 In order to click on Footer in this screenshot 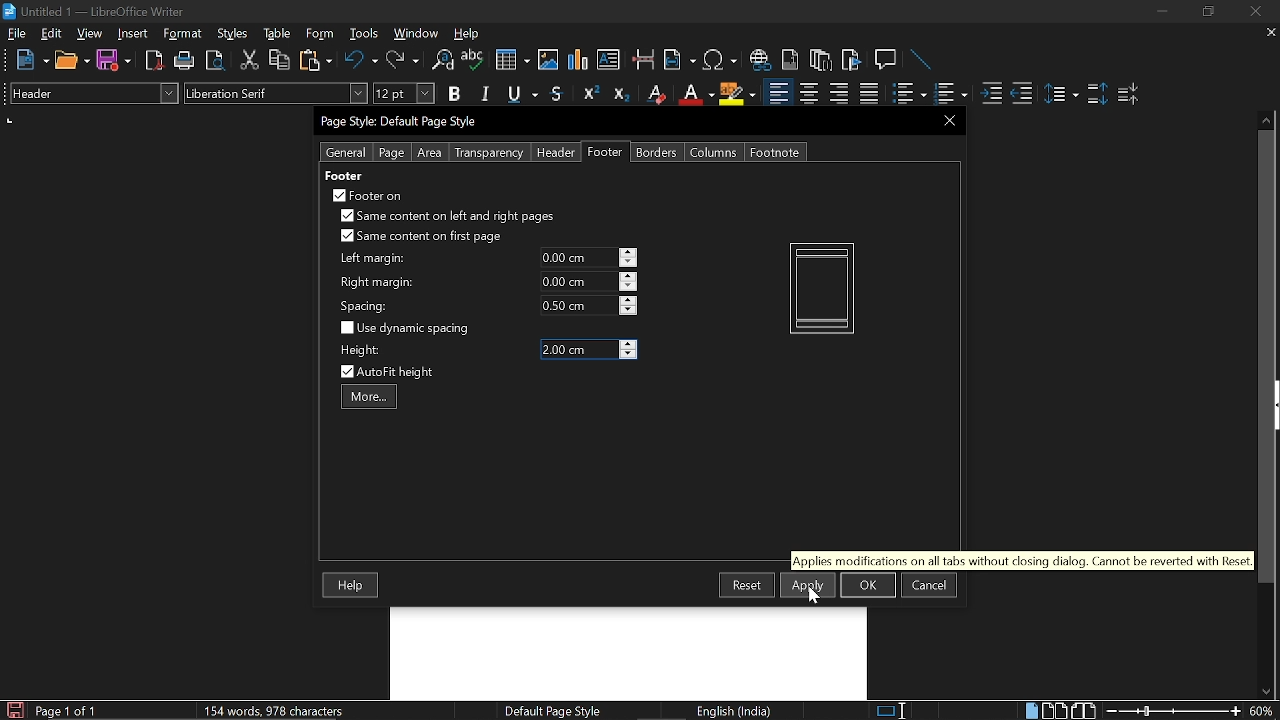, I will do `click(606, 152)`.